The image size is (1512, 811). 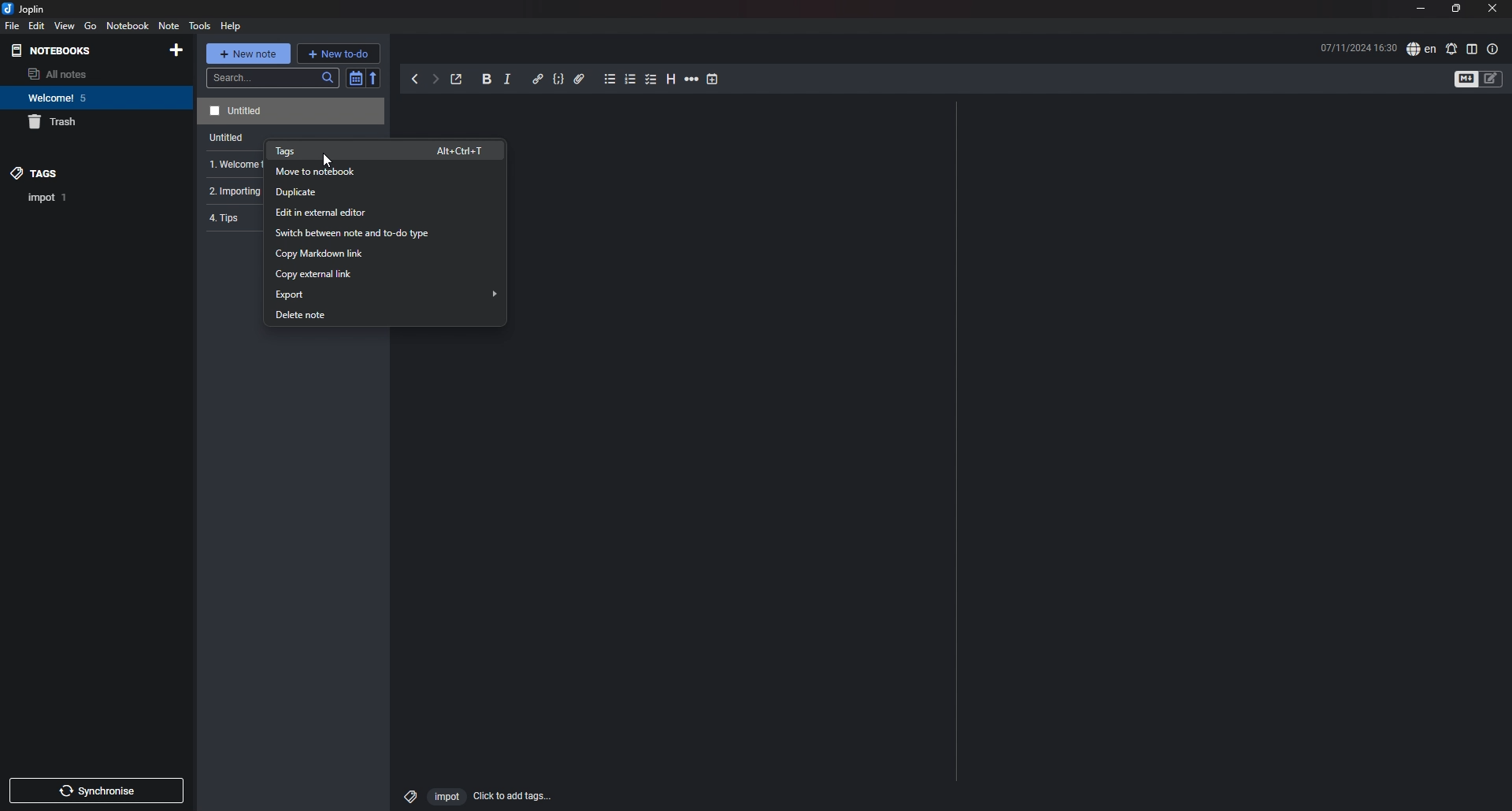 What do you see at coordinates (83, 123) in the screenshot?
I see `trash` at bounding box center [83, 123].